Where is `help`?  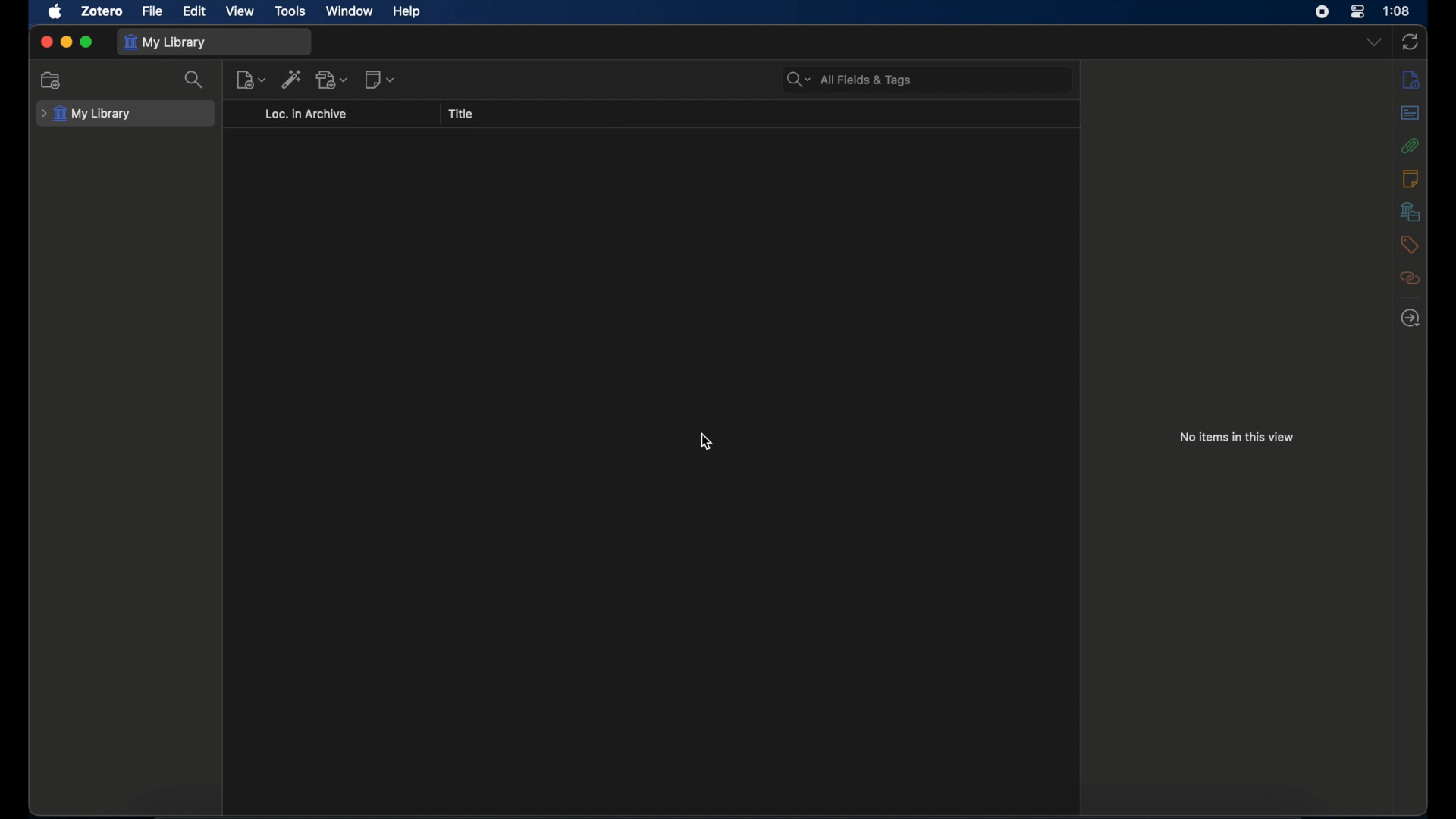
help is located at coordinates (406, 12).